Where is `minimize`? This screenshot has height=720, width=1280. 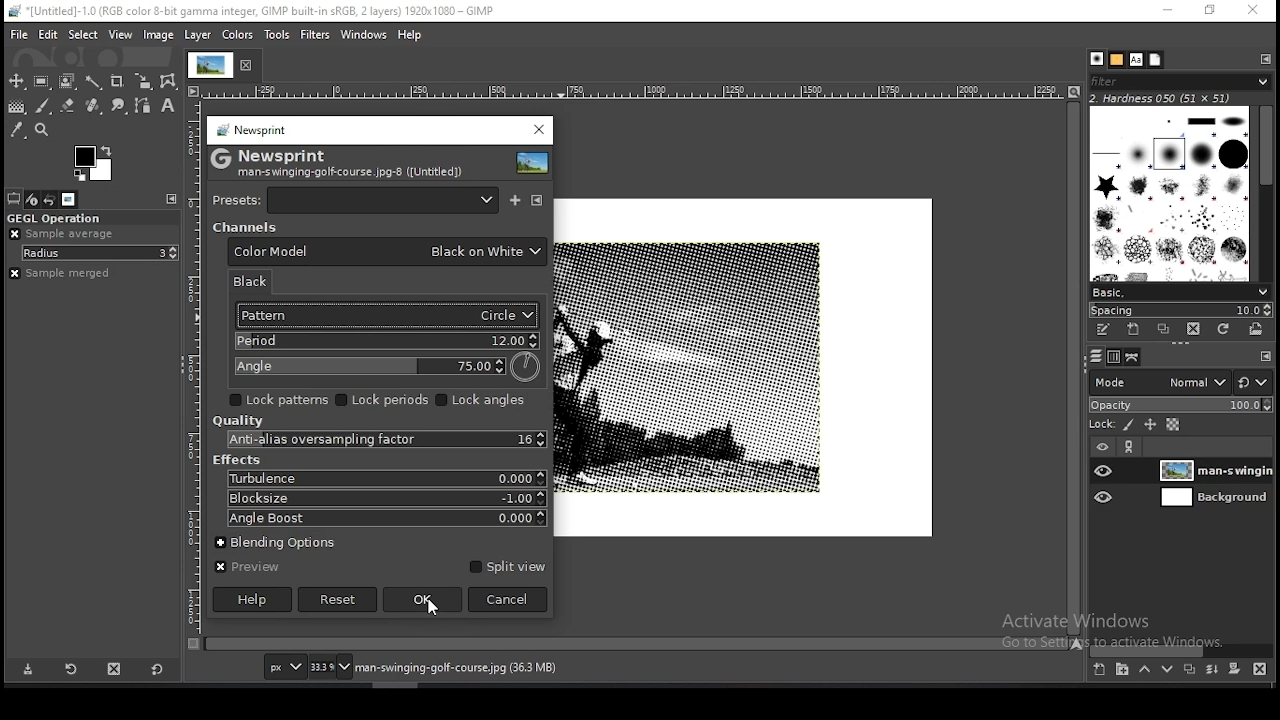 minimize is located at coordinates (1169, 11).